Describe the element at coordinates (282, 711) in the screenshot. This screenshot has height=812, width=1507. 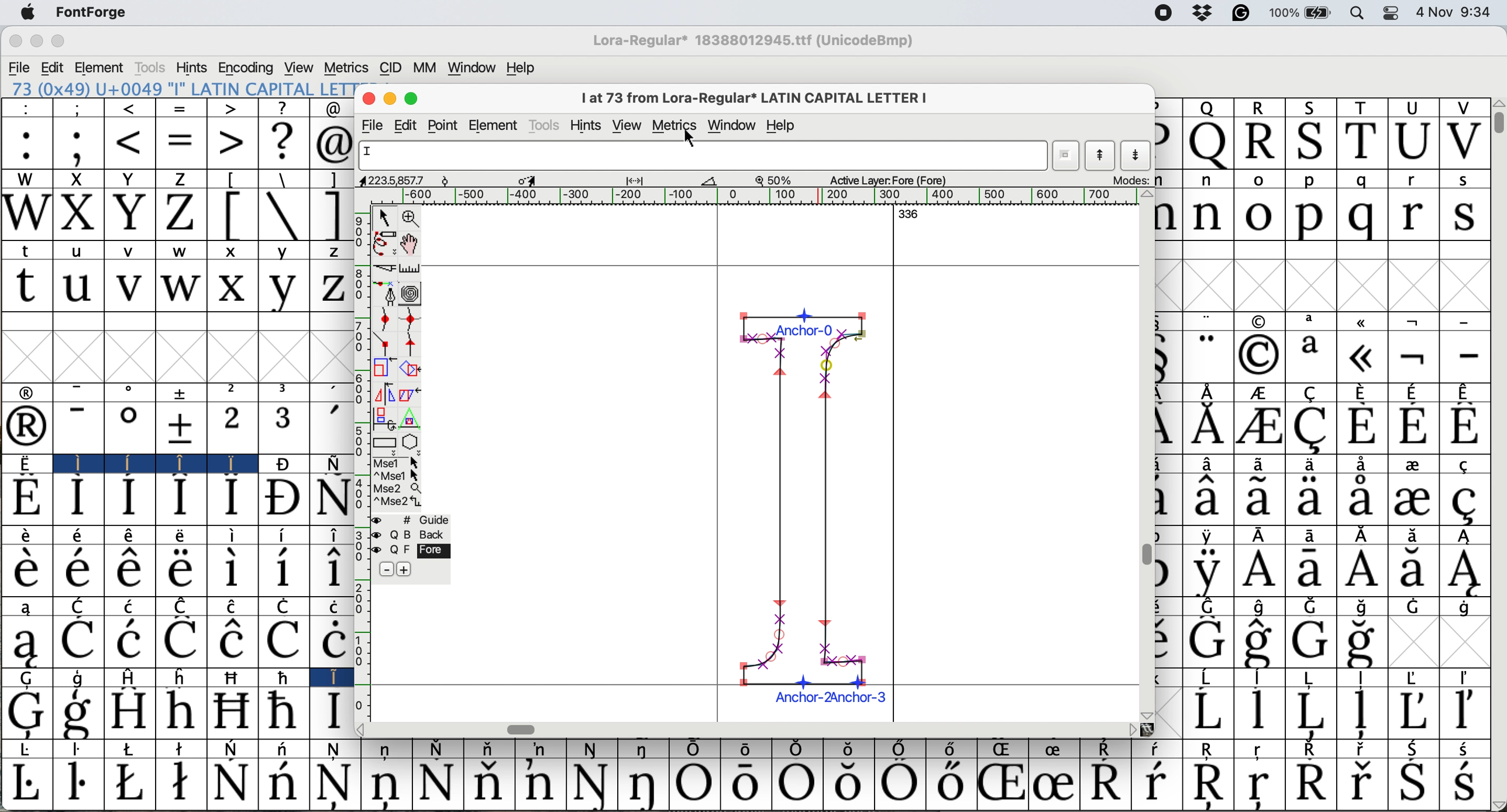
I see `Symbol` at that location.